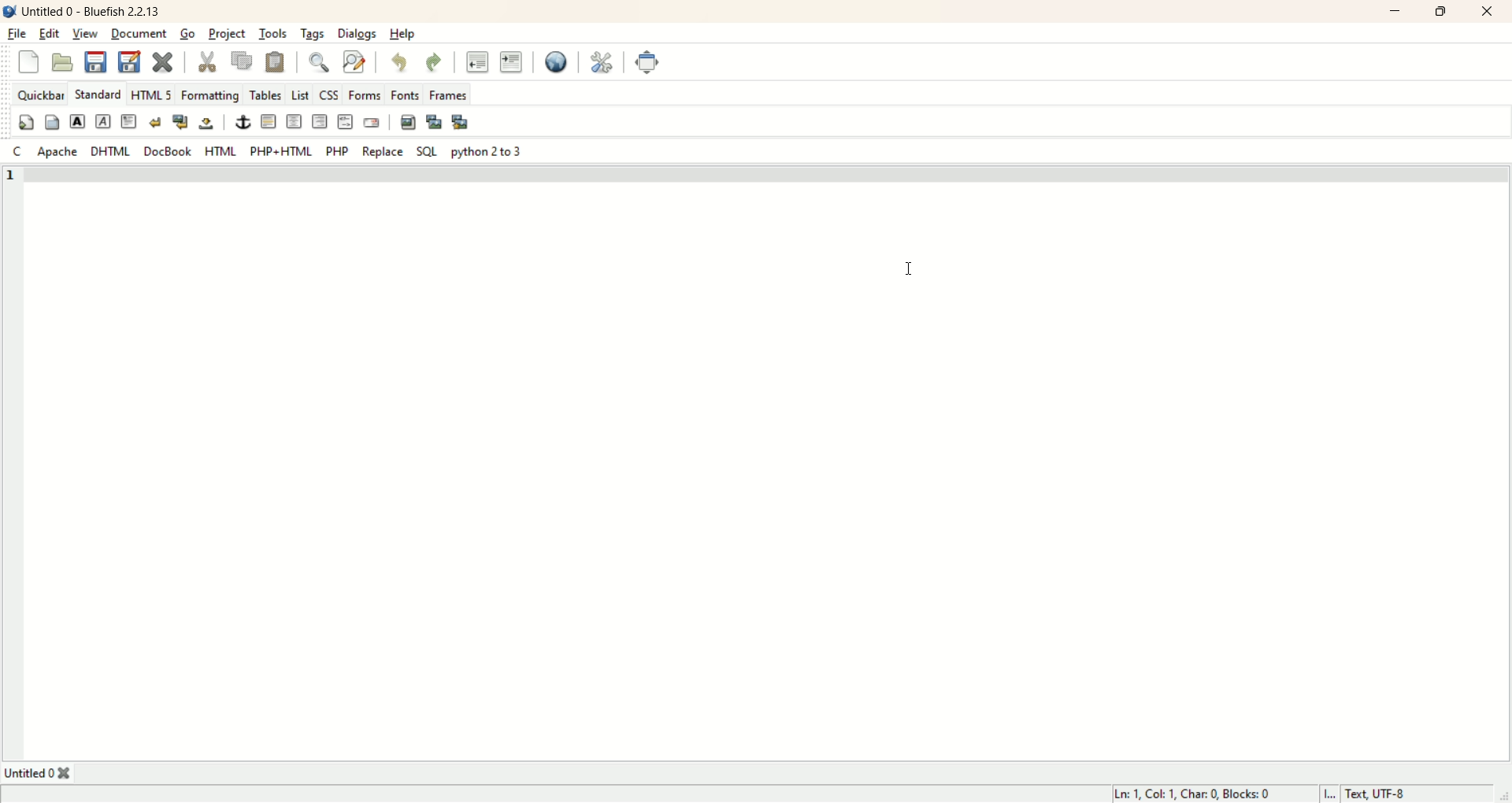  What do you see at coordinates (139, 32) in the screenshot?
I see `document` at bounding box center [139, 32].